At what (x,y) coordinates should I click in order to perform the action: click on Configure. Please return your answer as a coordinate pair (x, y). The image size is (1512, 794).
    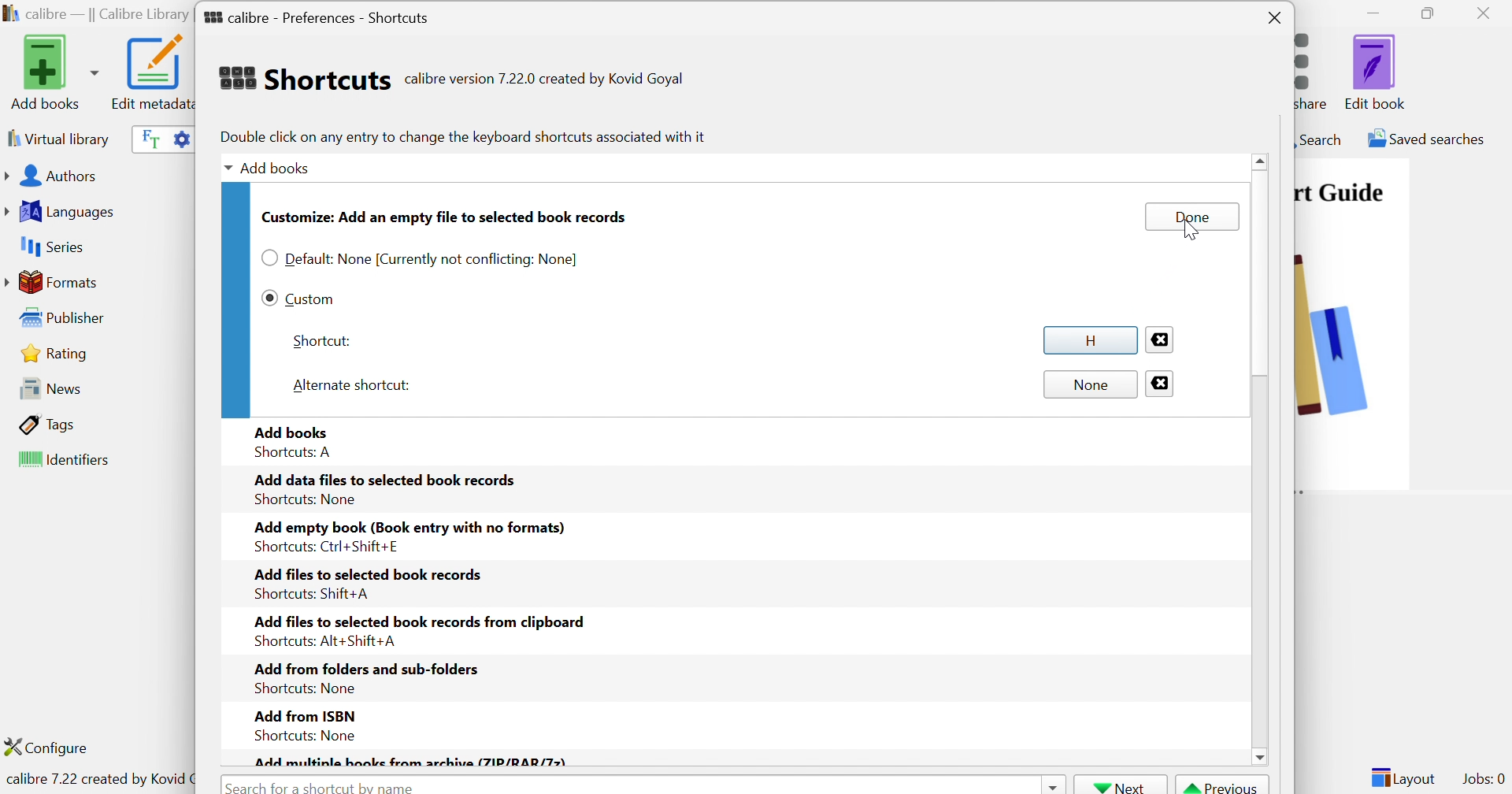
    Looking at the image, I should click on (53, 747).